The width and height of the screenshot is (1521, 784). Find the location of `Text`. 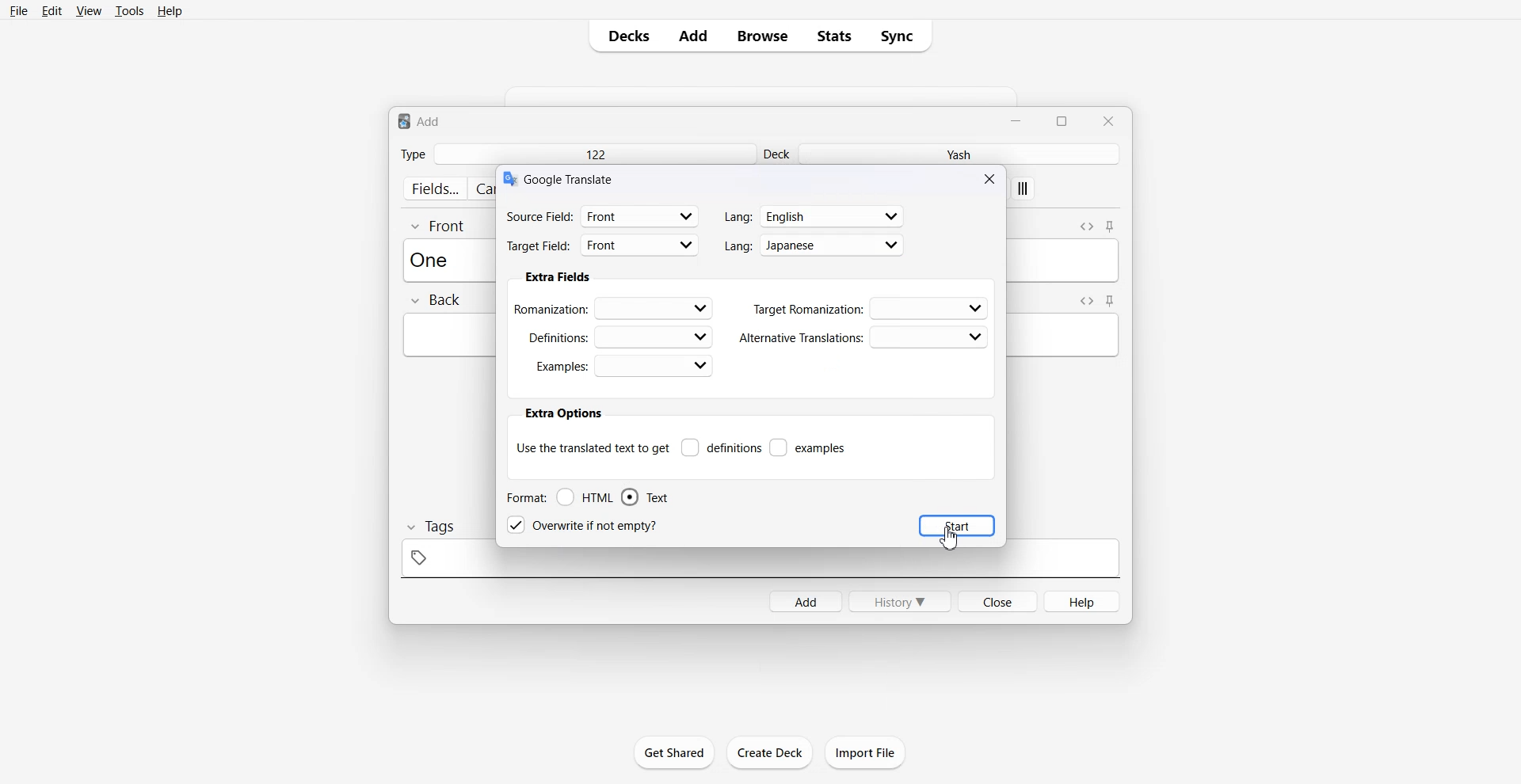

Text is located at coordinates (420, 120).